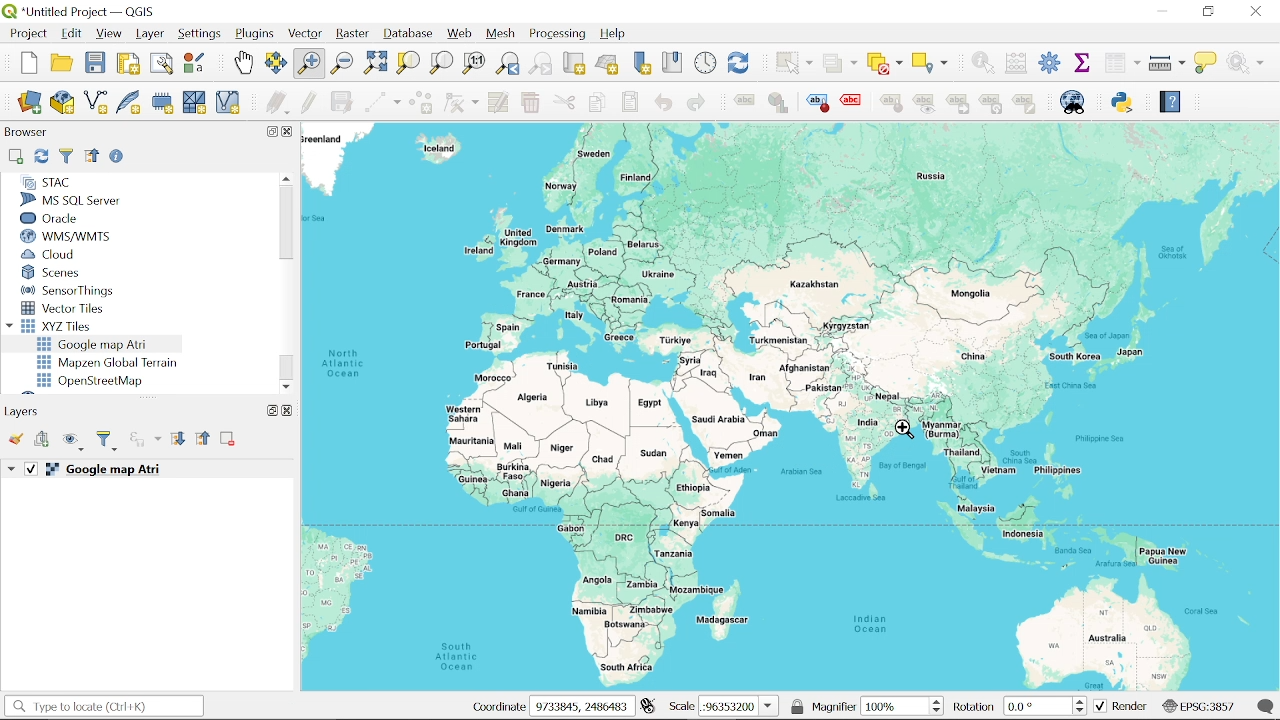 The width and height of the screenshot is (1280, 720). I want to click on Decrease, so click(1083, 711).